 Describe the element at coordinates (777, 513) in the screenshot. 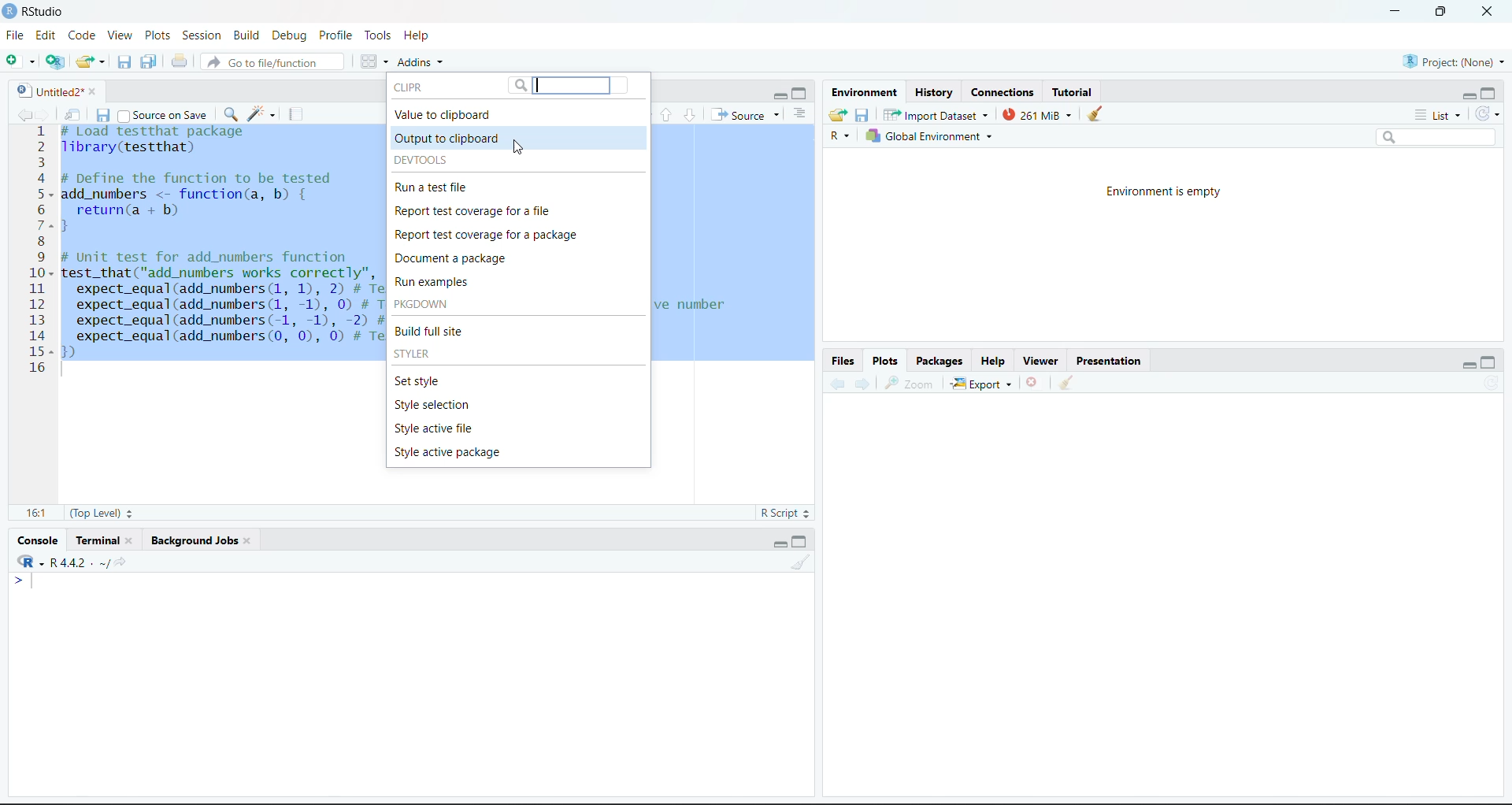

I see `R Script` at that location.